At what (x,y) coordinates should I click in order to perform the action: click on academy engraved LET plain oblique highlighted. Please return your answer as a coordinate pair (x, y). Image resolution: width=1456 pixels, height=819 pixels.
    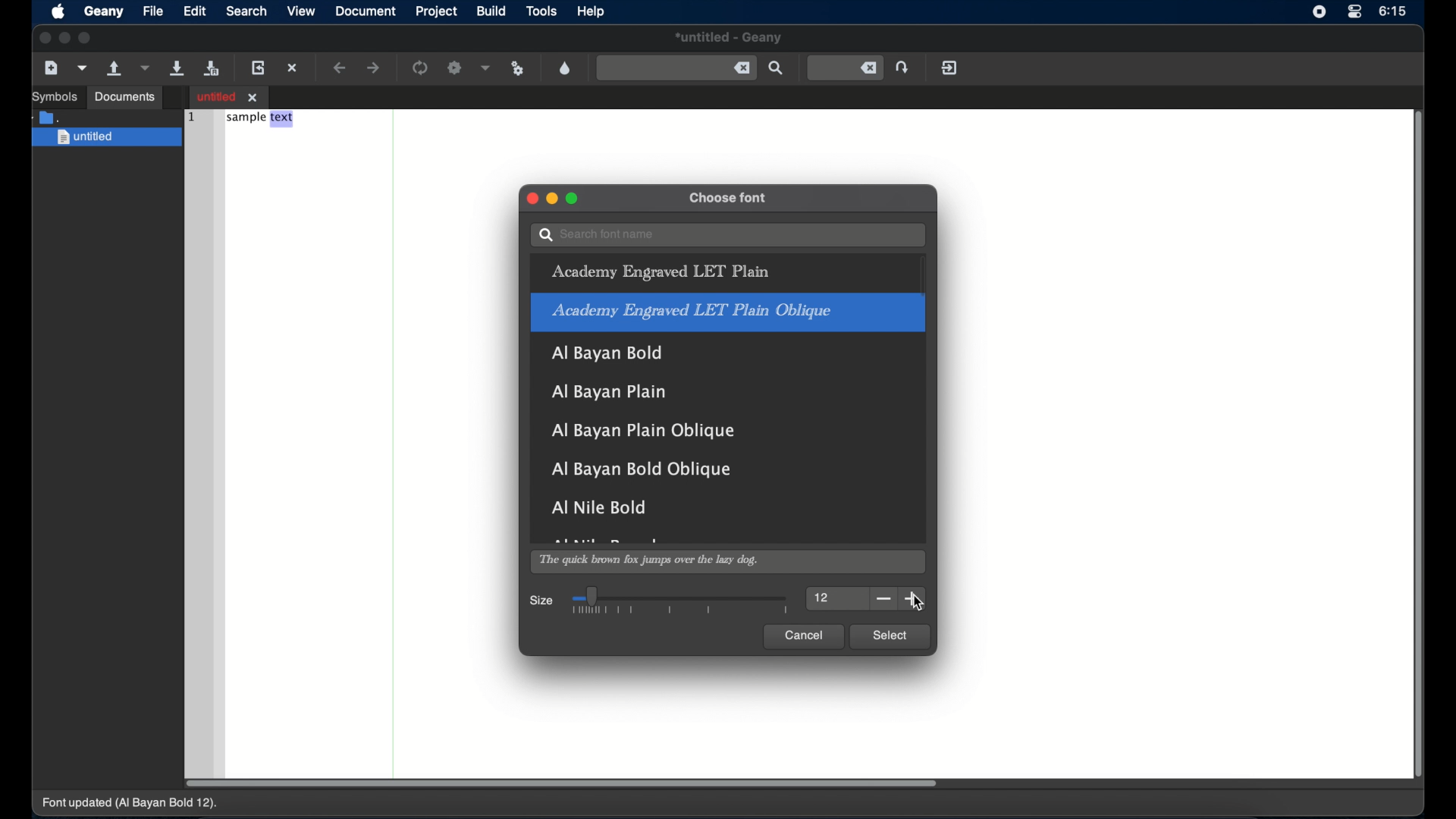
    Looking at the image, I should click on (729, 312).